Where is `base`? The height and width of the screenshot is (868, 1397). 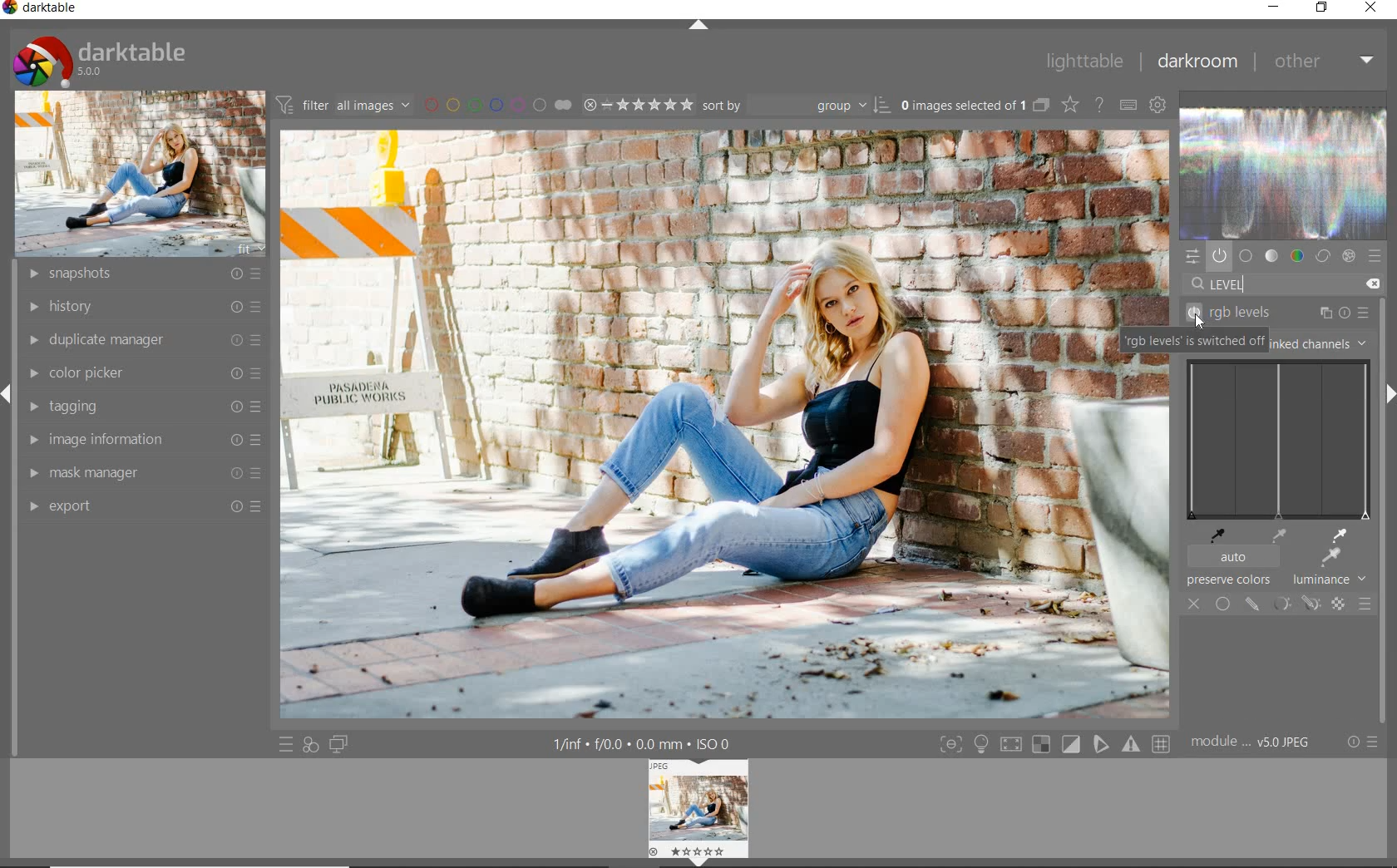 base is located at coordinates (1247, 254).